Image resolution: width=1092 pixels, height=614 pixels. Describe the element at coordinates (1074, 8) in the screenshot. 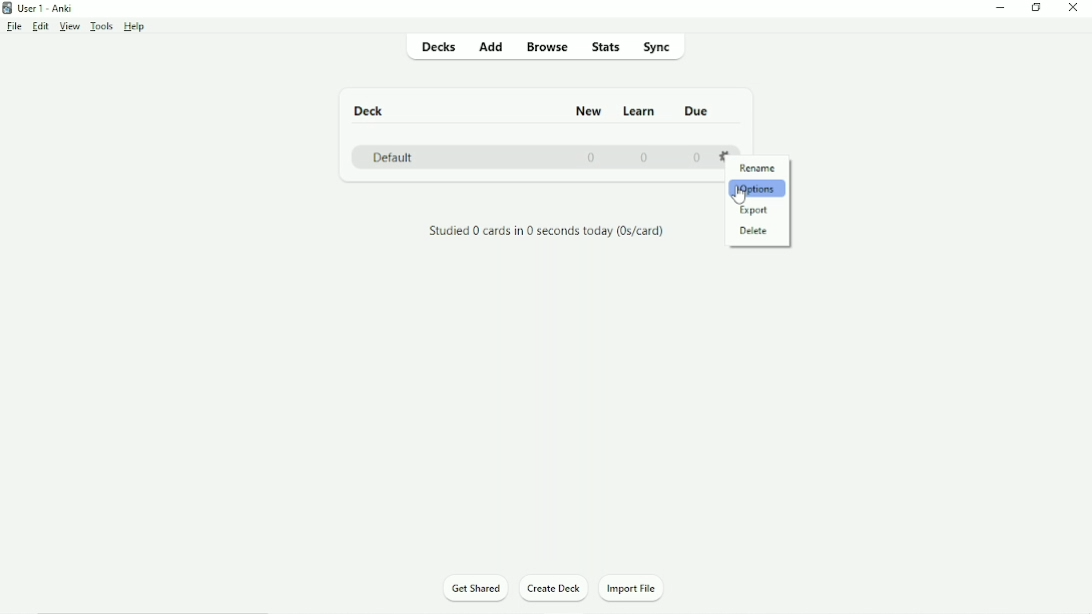

I see `Close` at that location.